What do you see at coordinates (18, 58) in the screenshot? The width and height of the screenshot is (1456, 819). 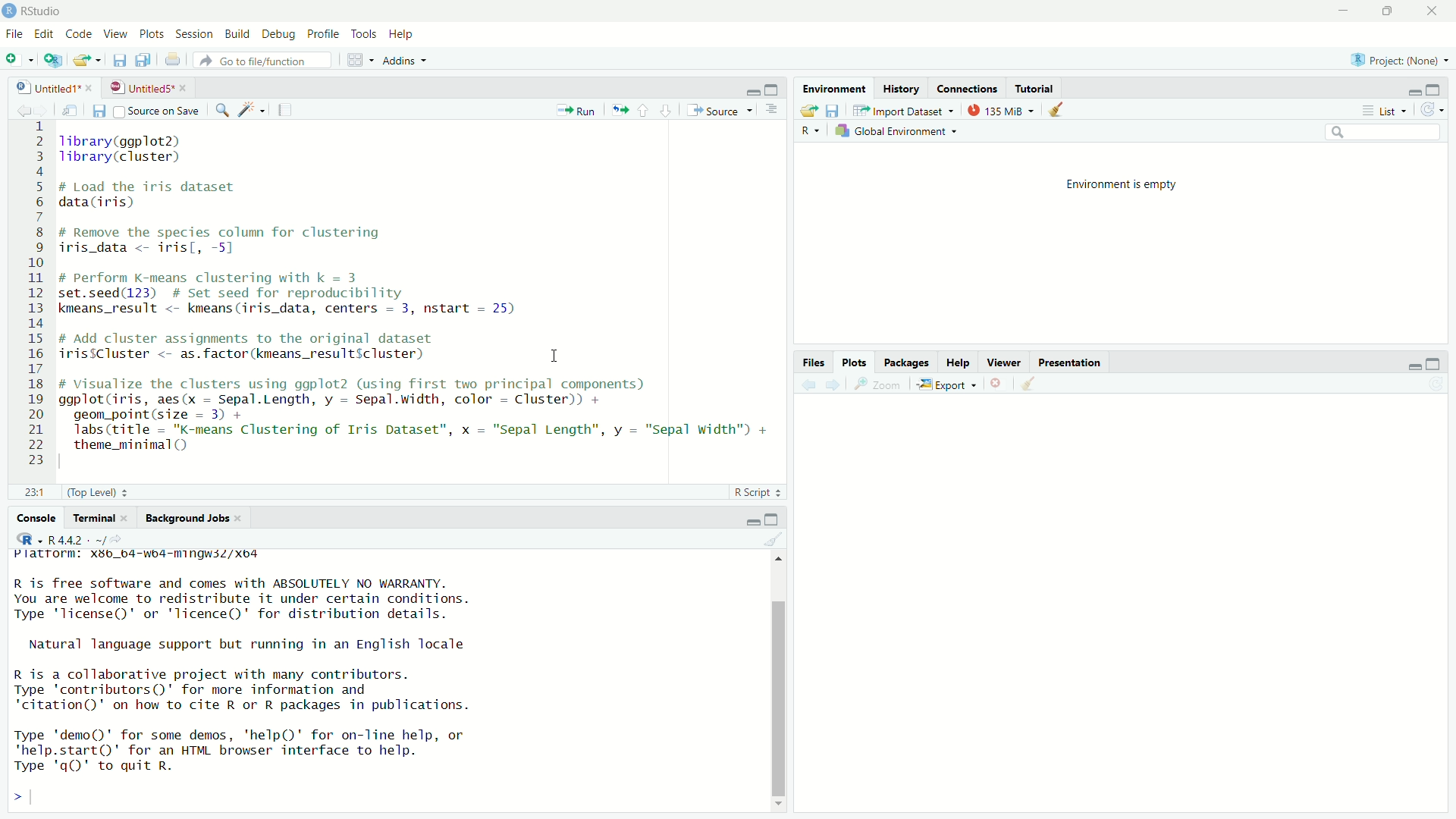 I see `new file` at bounding box center [18, 58].